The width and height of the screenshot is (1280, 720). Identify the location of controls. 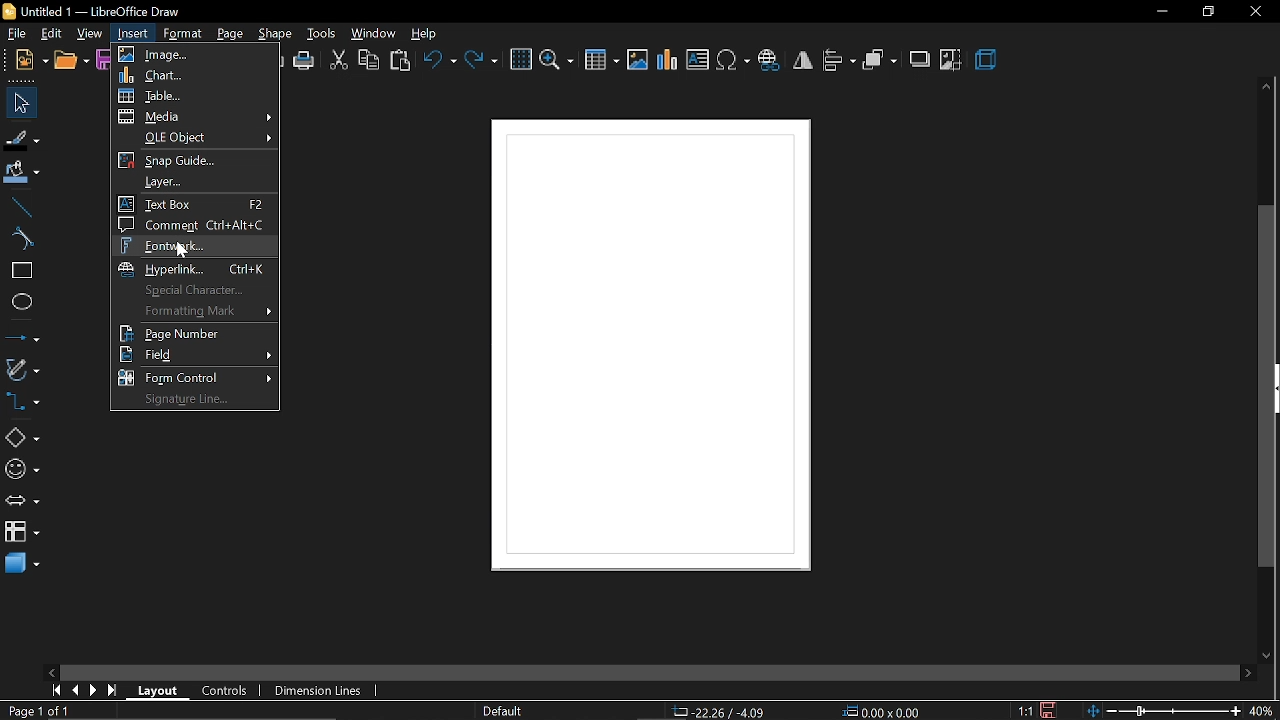
(219, 690).